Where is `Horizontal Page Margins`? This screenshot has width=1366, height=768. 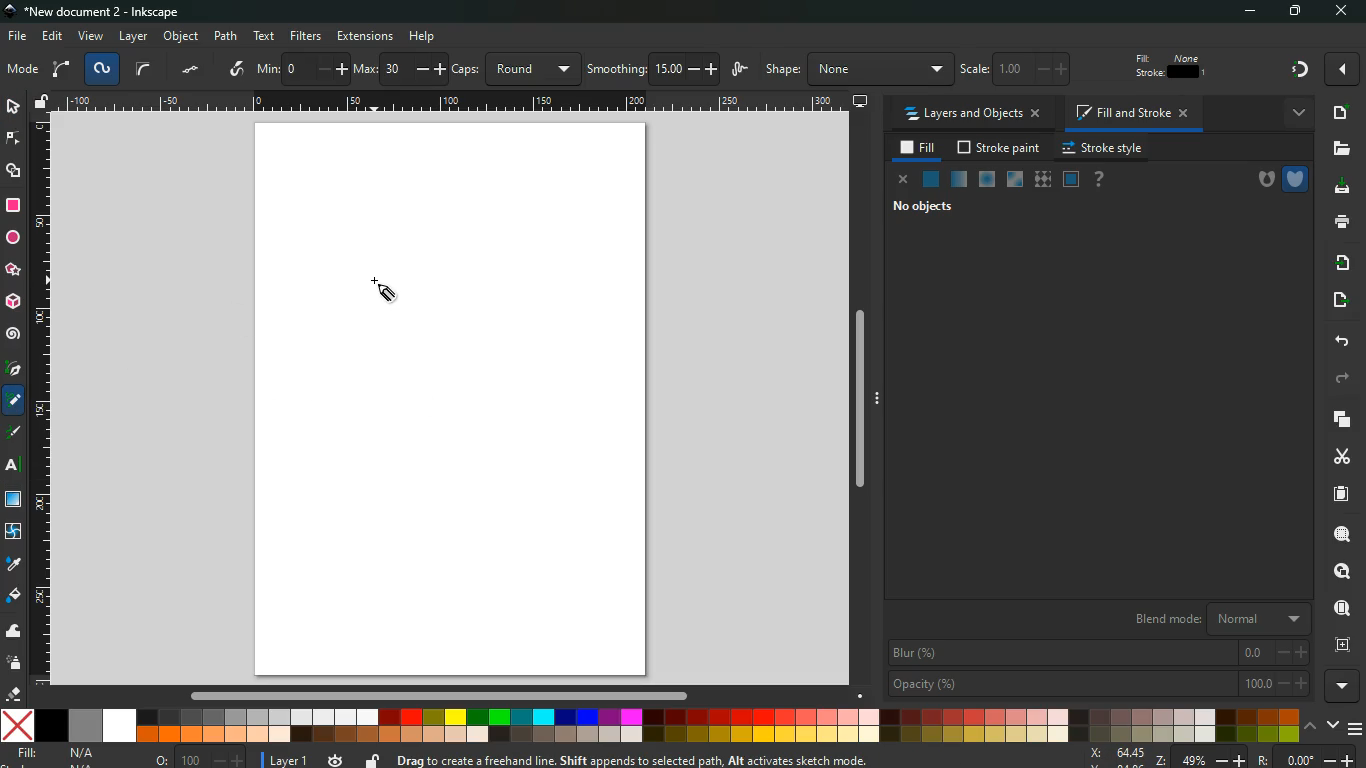
Horizontal Page Margins is located at coordinates (41, 402).